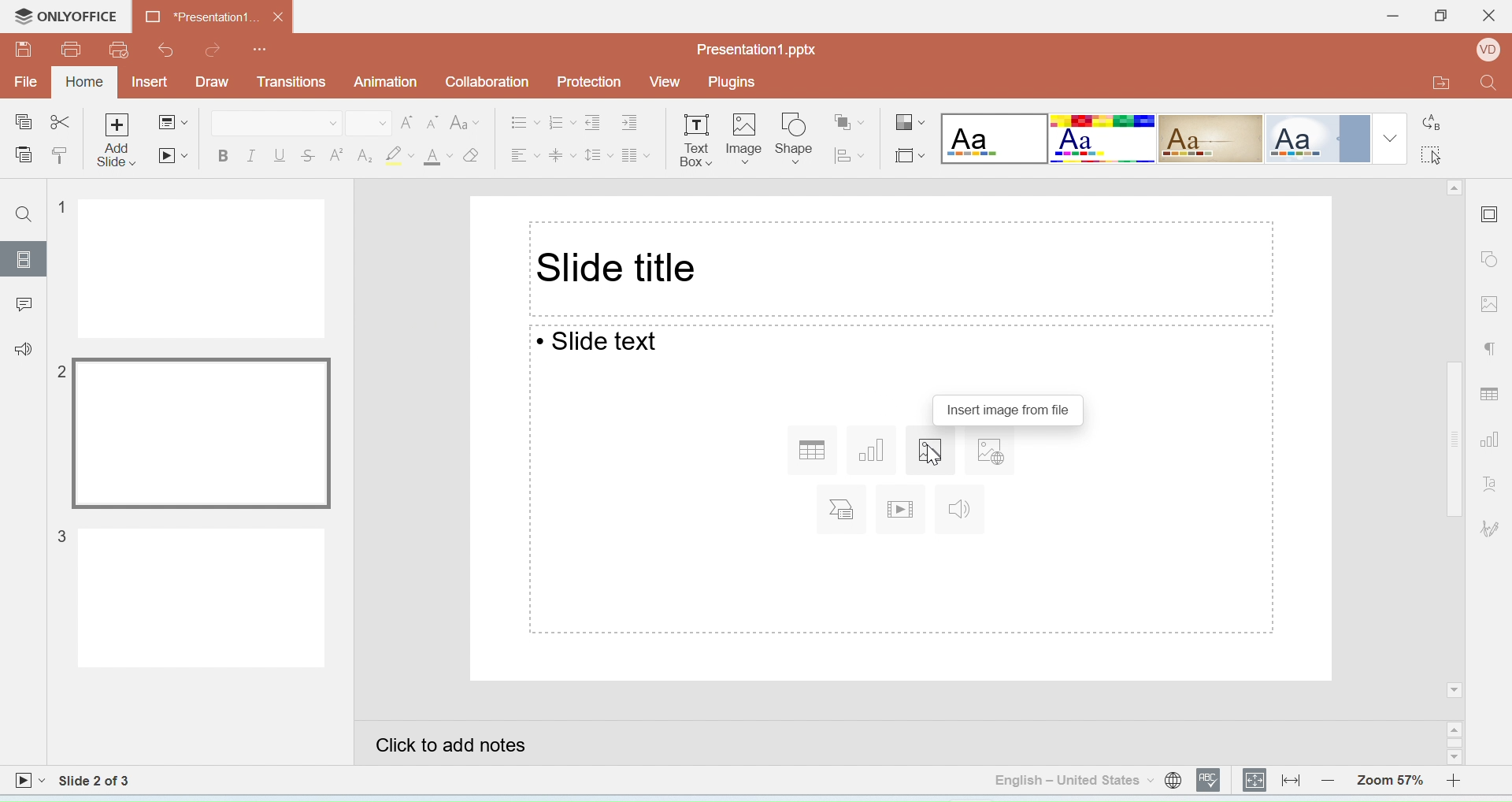  Describe the element at coordinates (851, 117) in the screenshot. I see `Arrange shape` at that location.